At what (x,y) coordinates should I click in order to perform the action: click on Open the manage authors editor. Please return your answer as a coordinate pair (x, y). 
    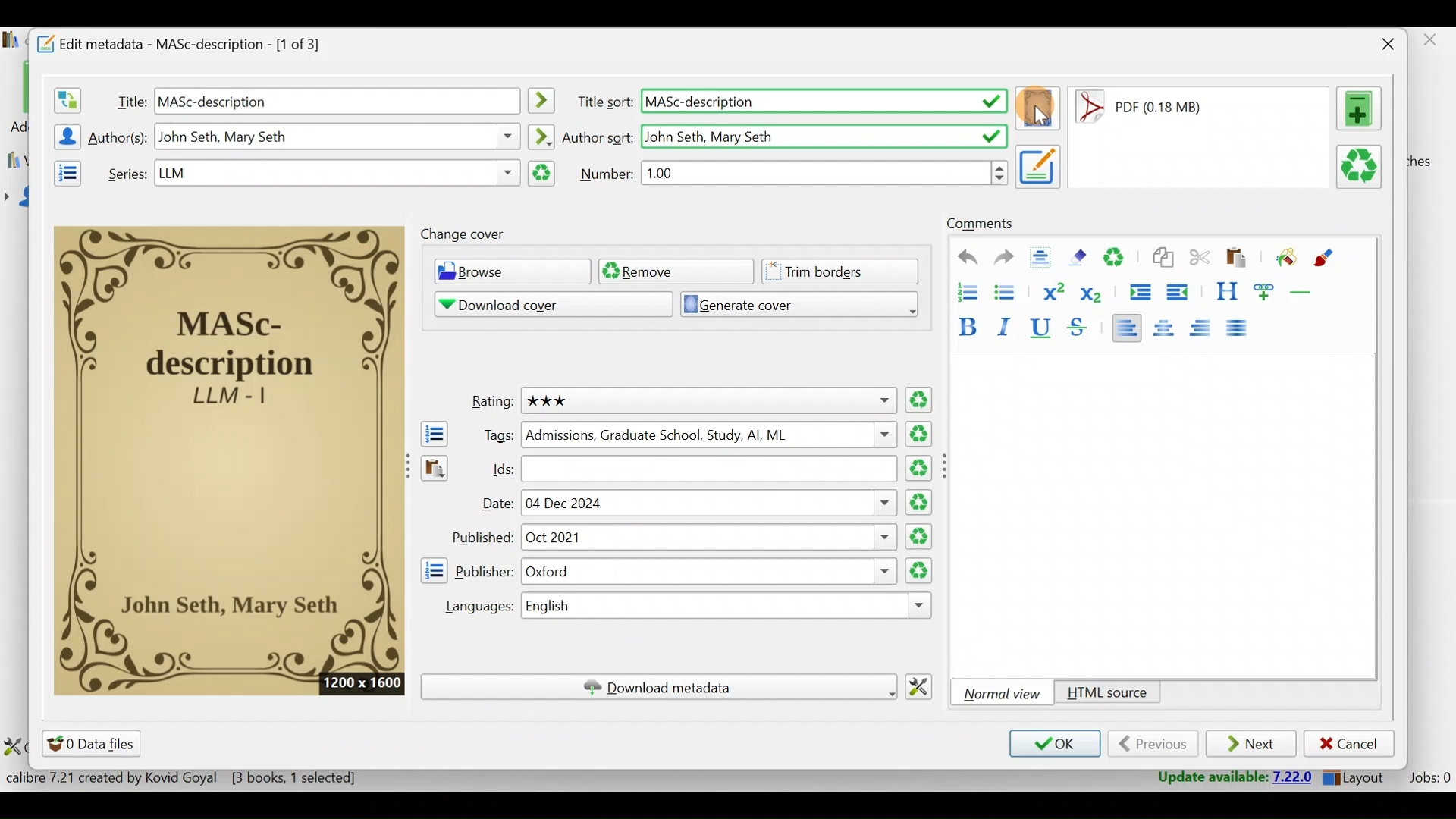
    Looking at the image, I should click on (63, 134).